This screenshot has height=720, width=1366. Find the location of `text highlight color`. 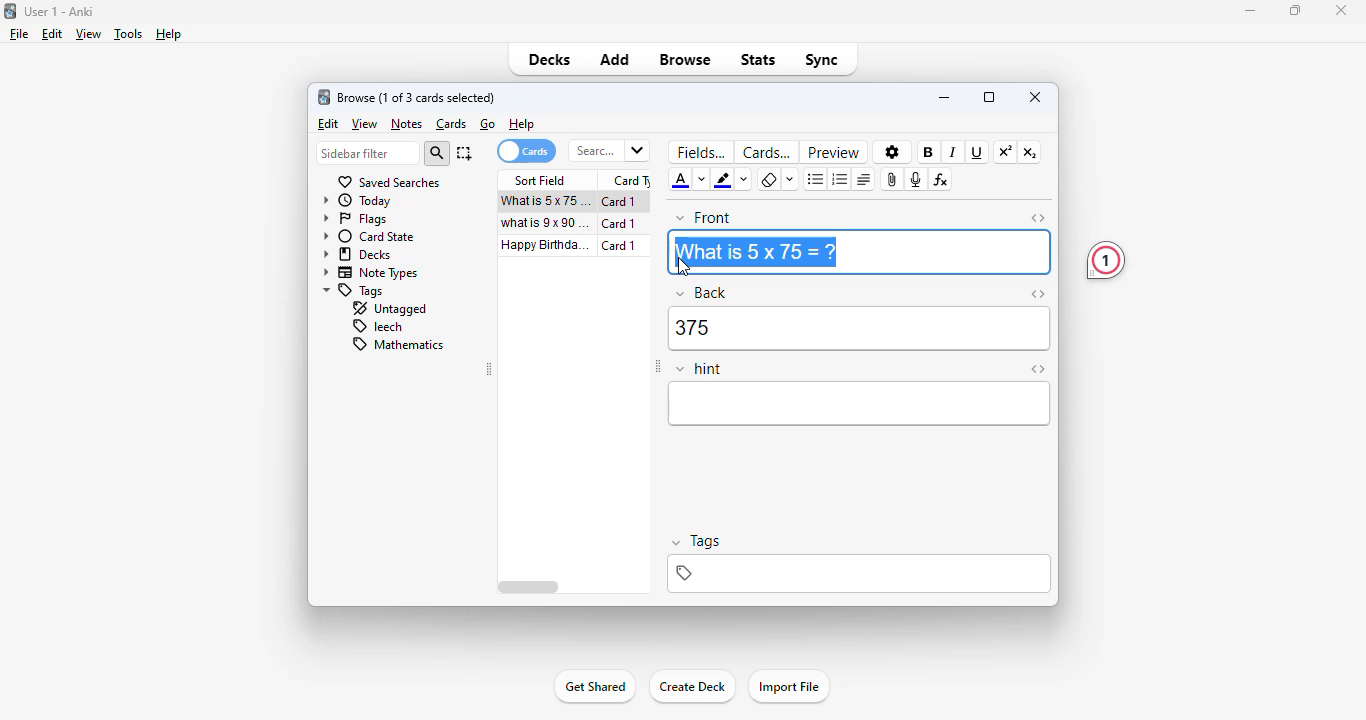

text highlight color is located at coordinates (725, 180).